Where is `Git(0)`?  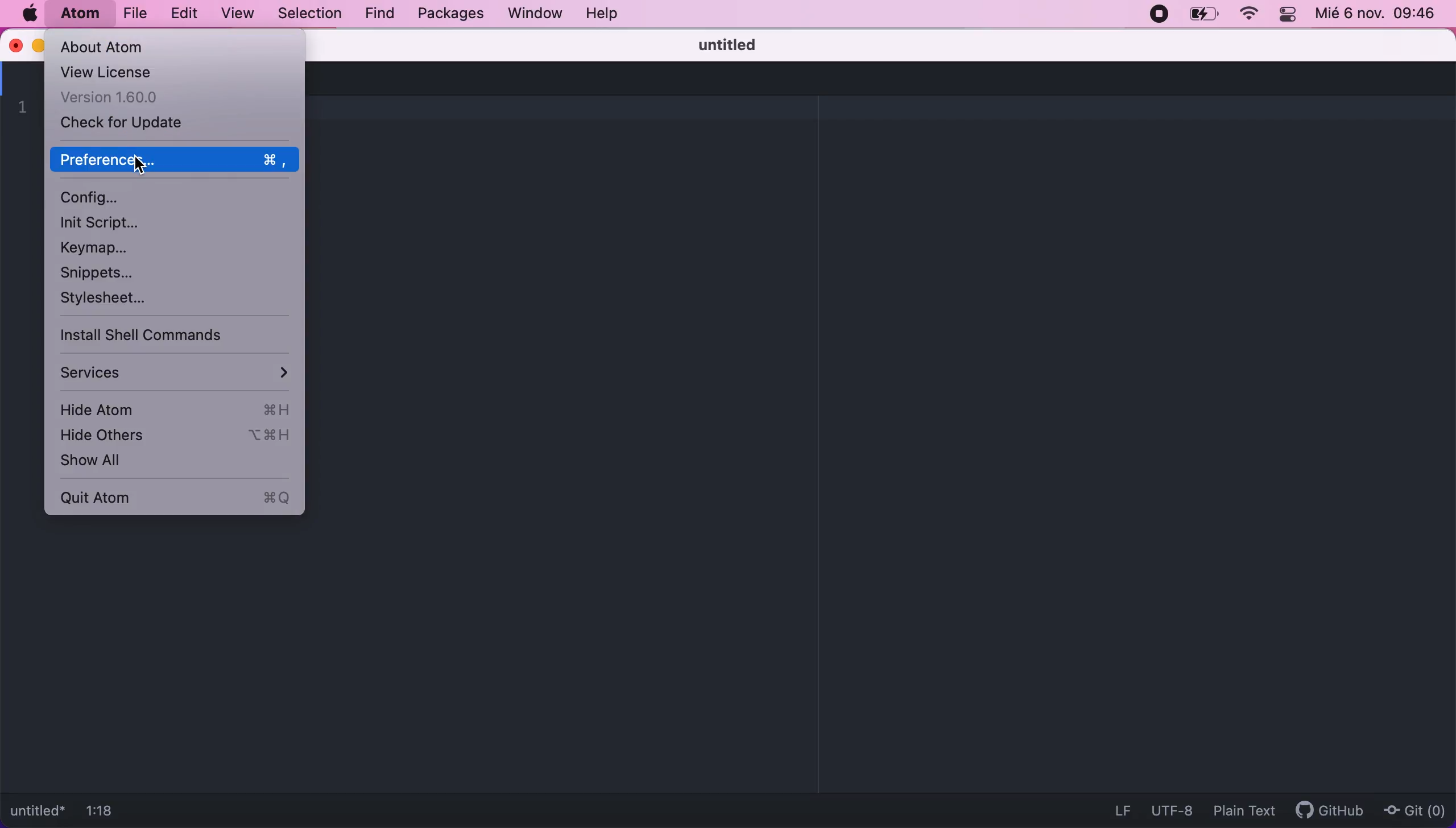
Git(0) is located at coordinates (1416, 810).